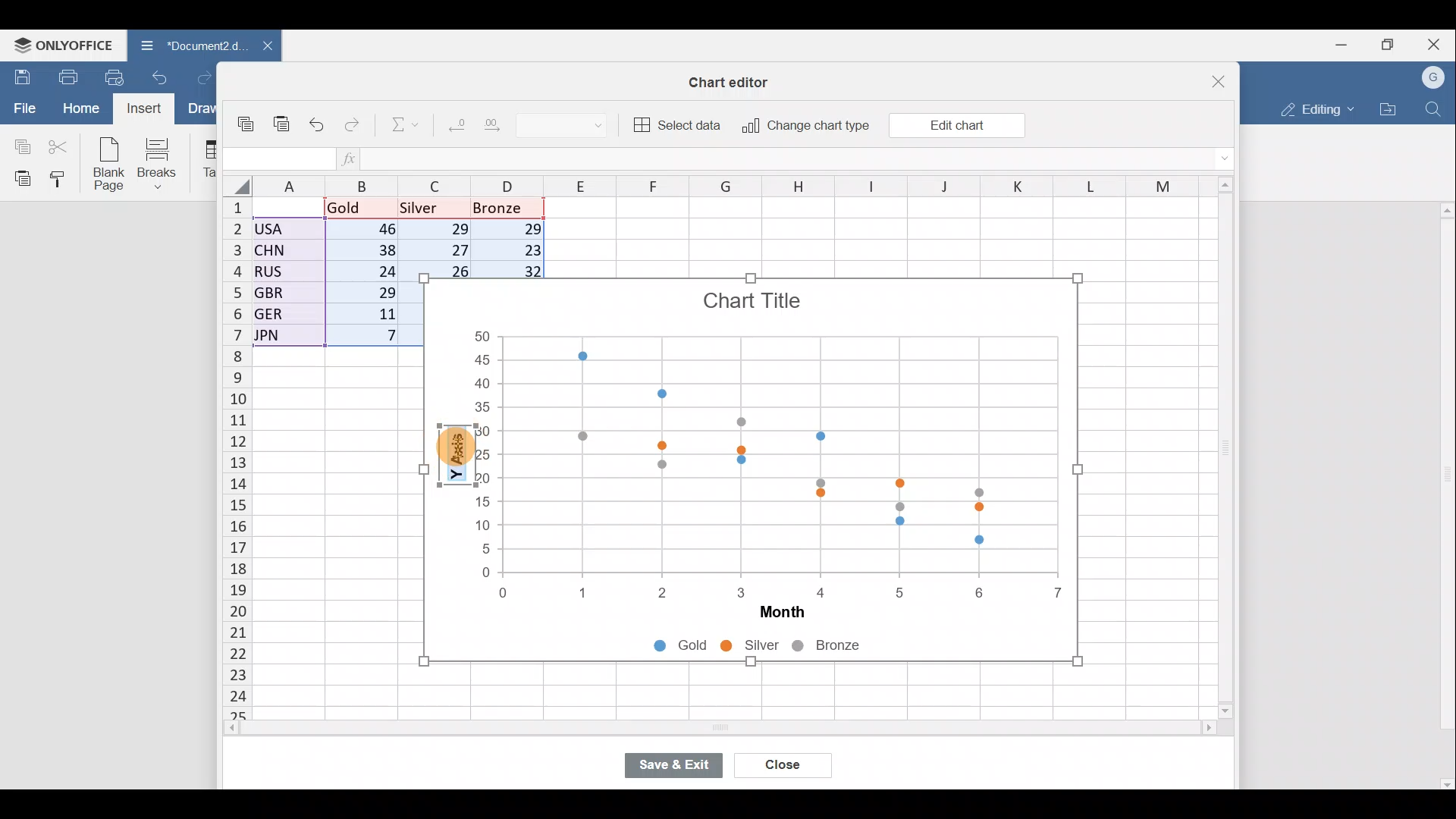 This screenshot has width=1456, height=819. I want to click on Save & exit, so click(679, 761).